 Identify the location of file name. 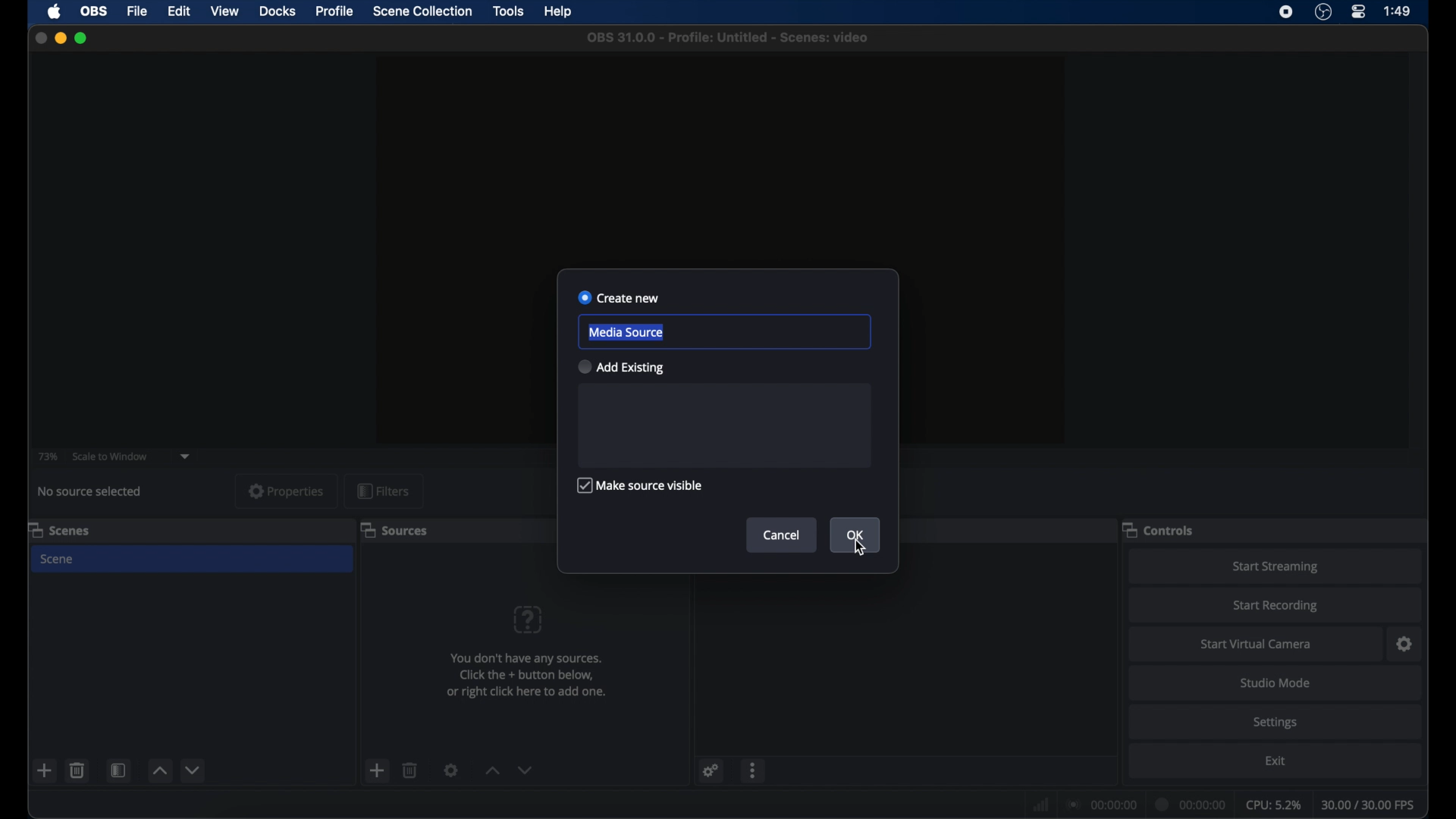
(728, 38).